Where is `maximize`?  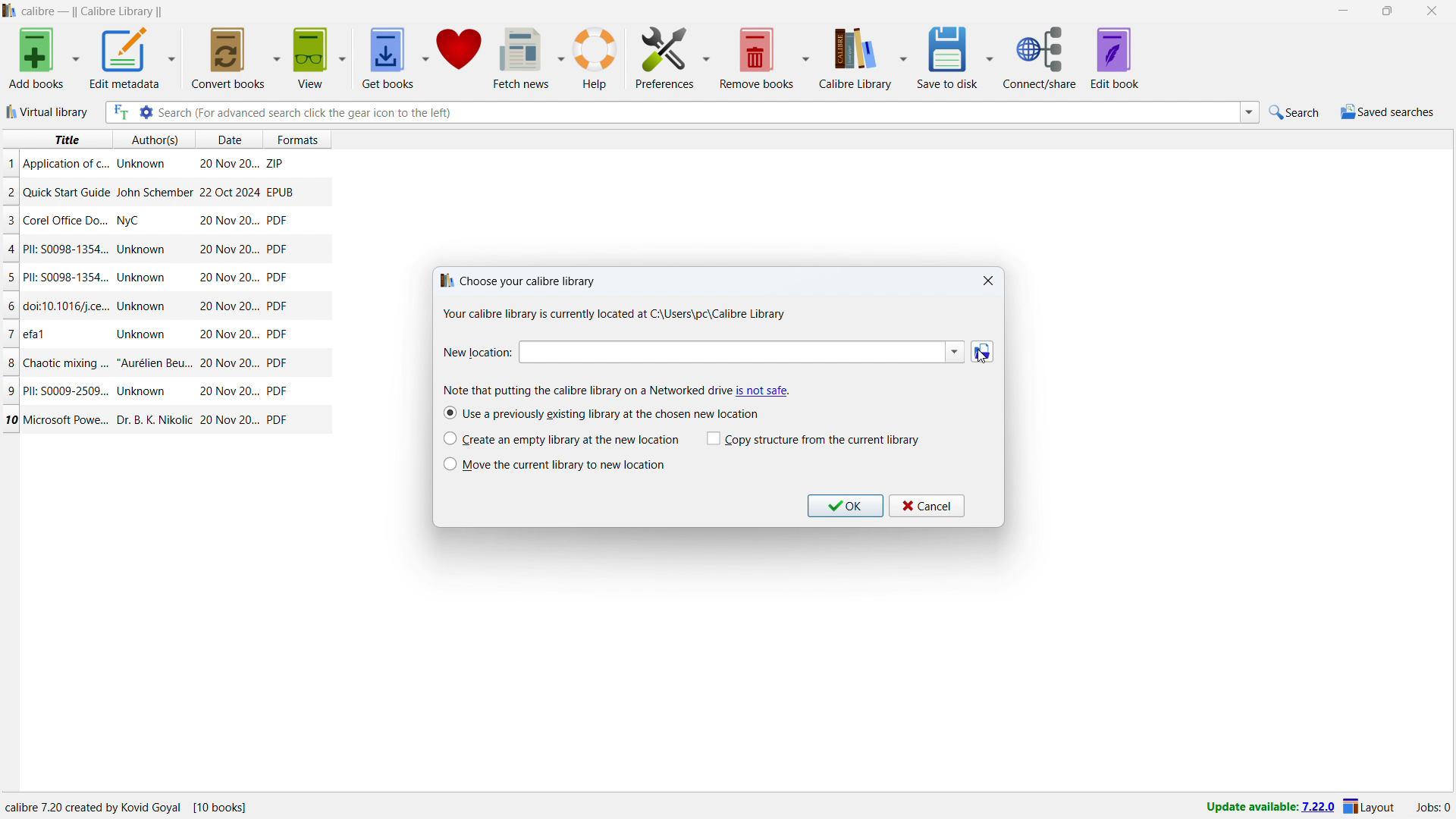
maximize is located at coordinates (1387, 11).